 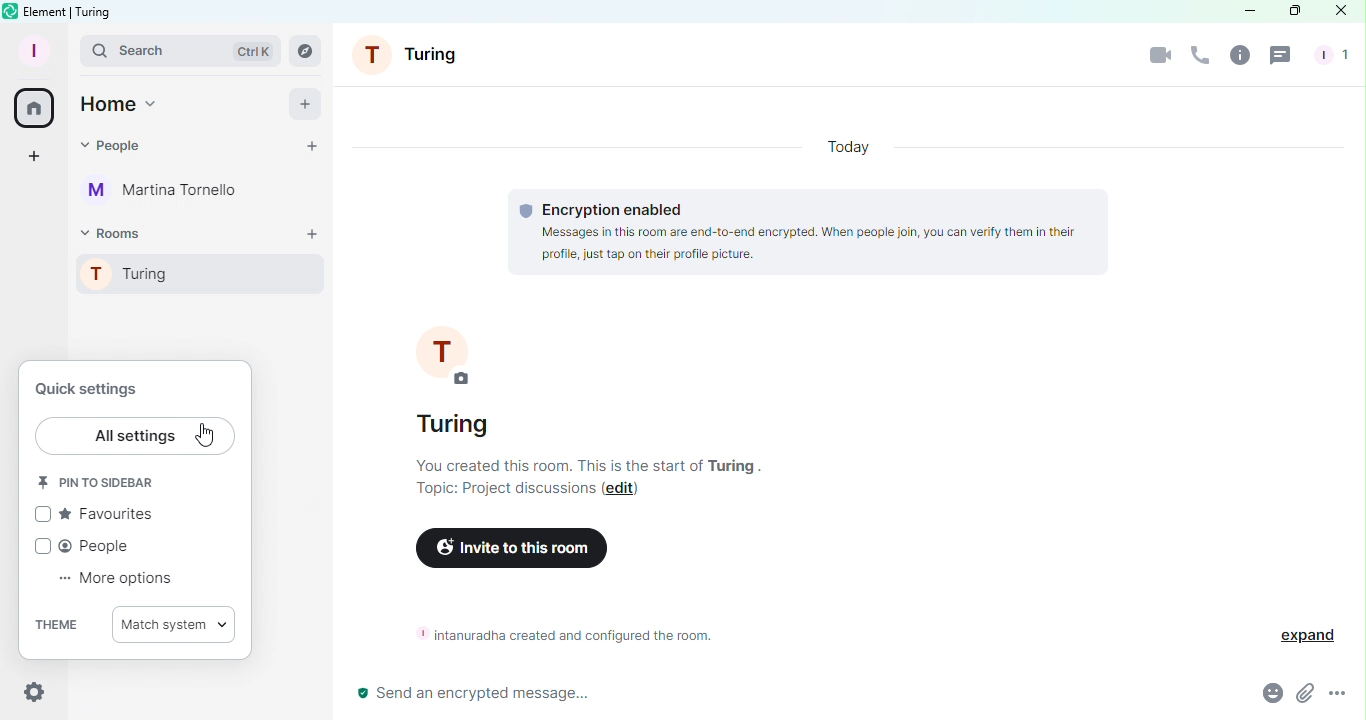 What do you see at coordinates (1283, 58) in the screenshot?
I see `Threads` at bounding box center [1283, 58].